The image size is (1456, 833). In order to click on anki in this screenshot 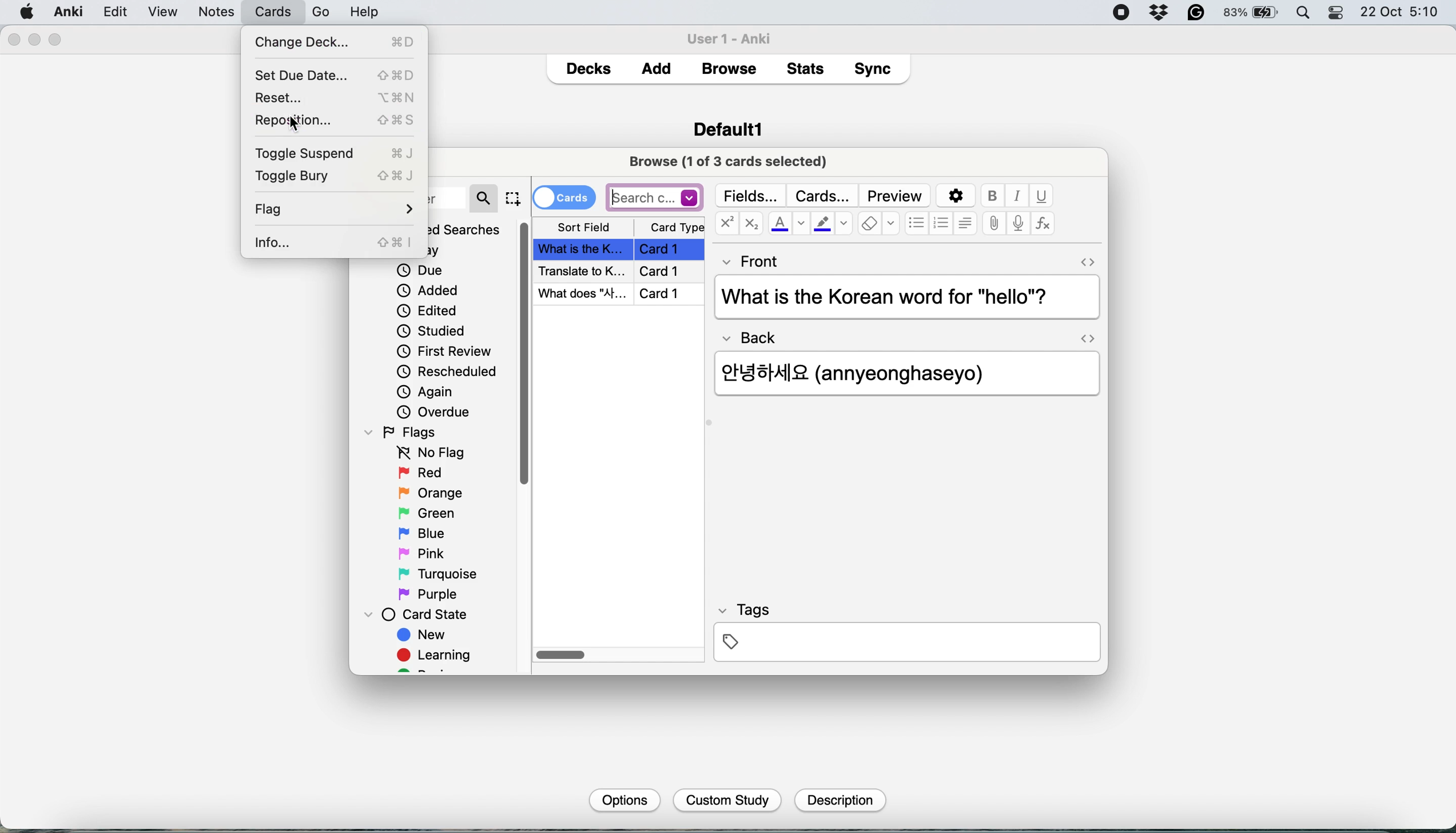, I will do `click(70, 11)`.